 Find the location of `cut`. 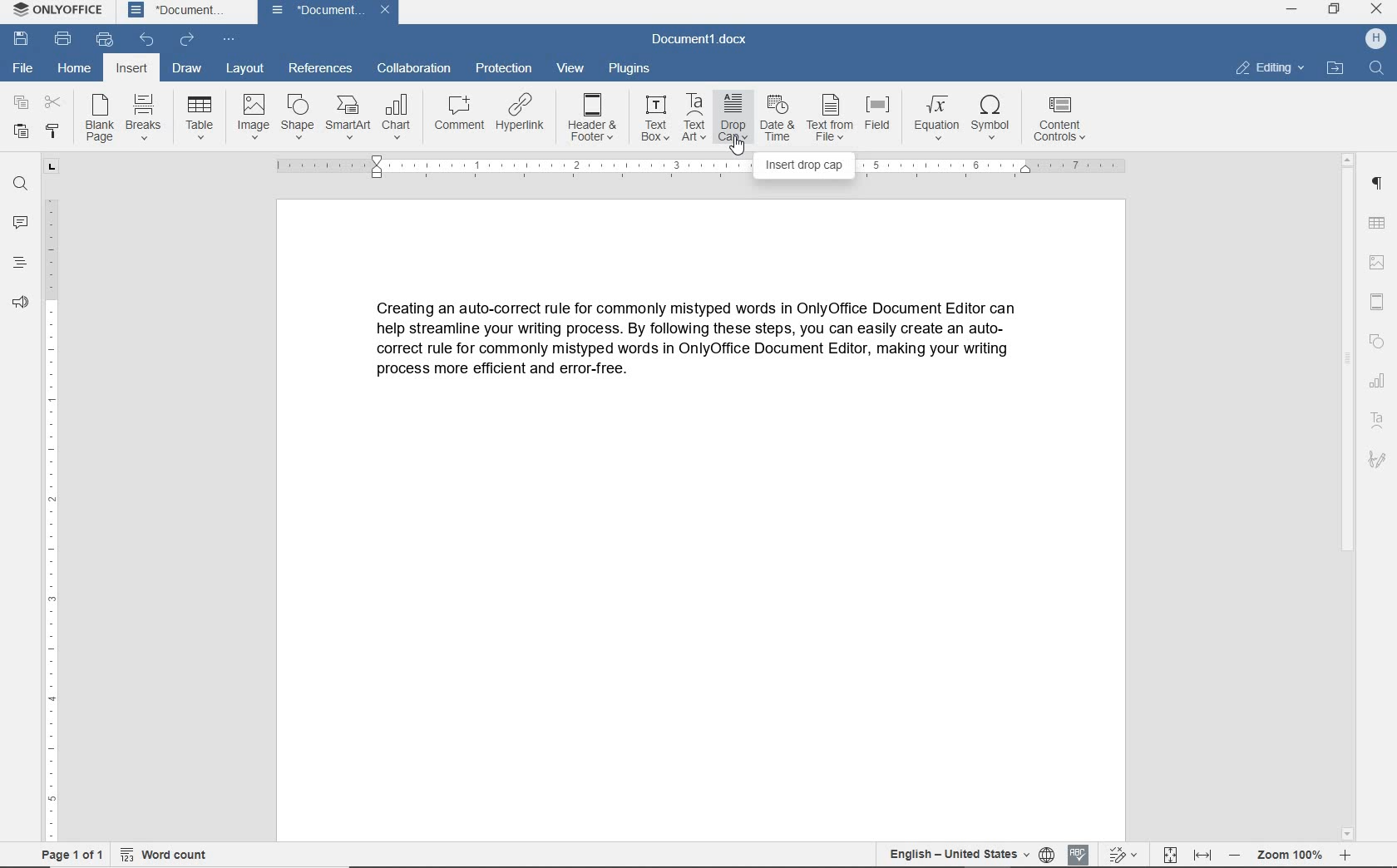

cut is located at coordinates (51, 104).